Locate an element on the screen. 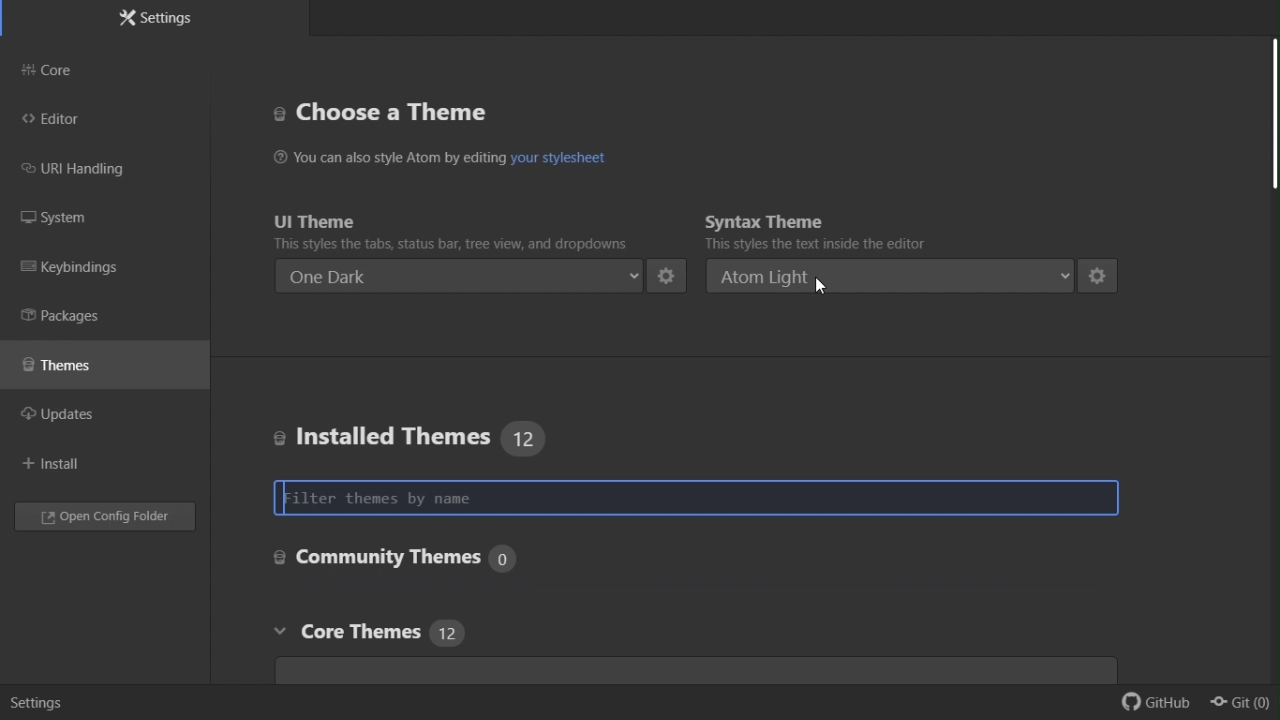 Image resolution: width=1280 pixels, height=720 pixels. Settings is located at coordinates (154, 18).